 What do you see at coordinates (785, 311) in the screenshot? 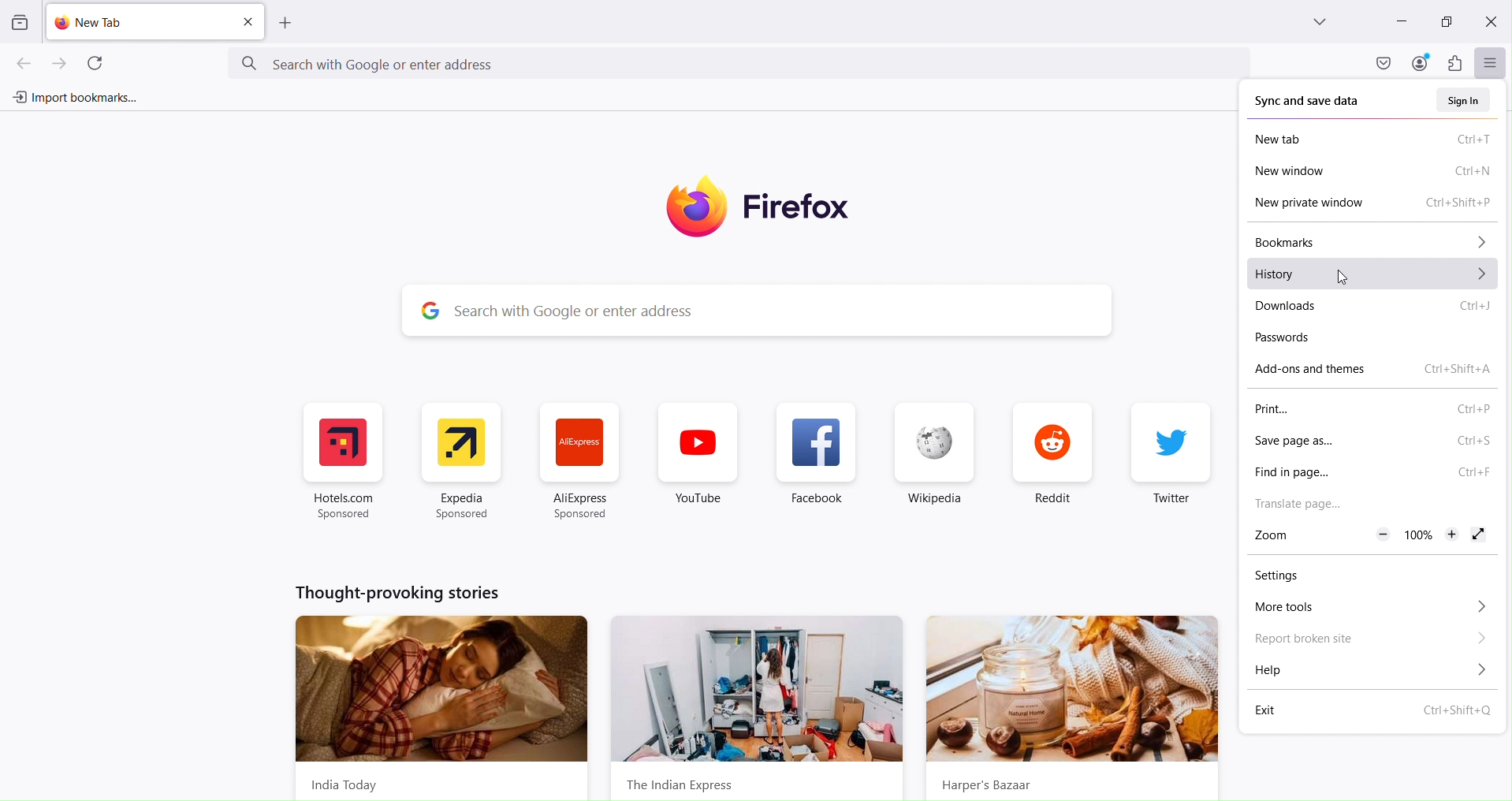
I see `Search with google or enter address` at bounding box center [785, 311].